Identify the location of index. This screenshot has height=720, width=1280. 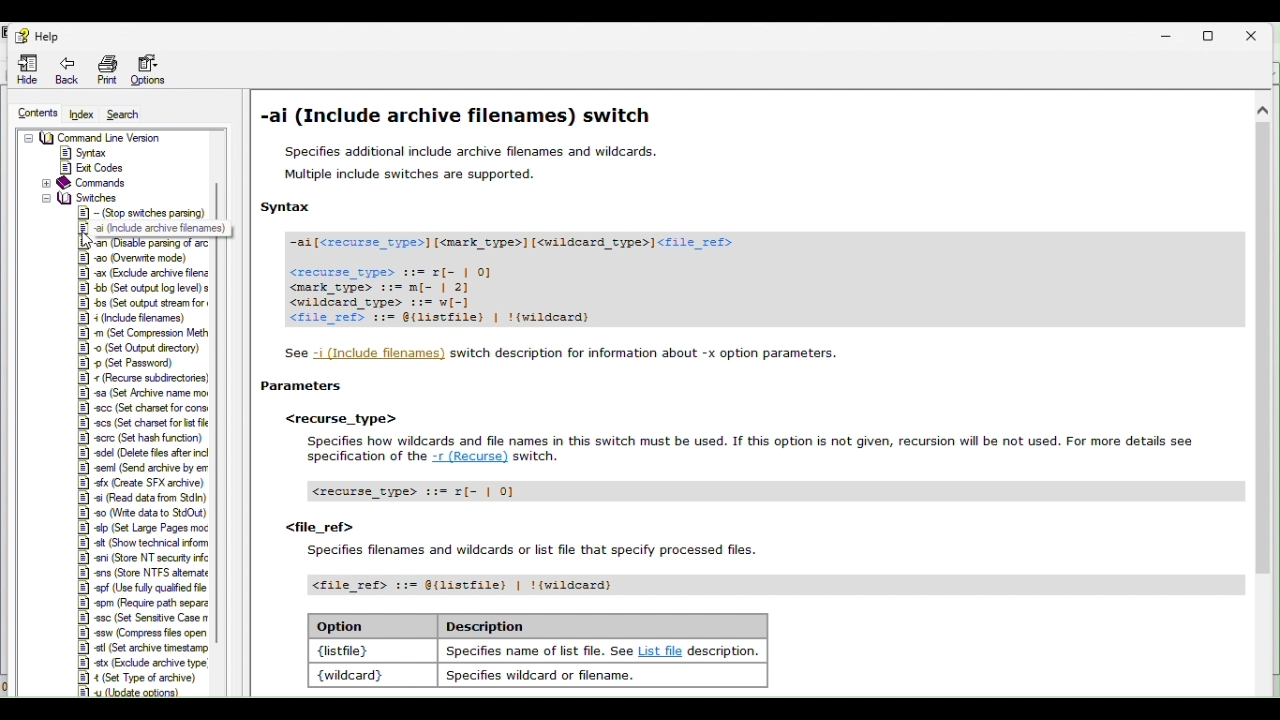
(80, 110).